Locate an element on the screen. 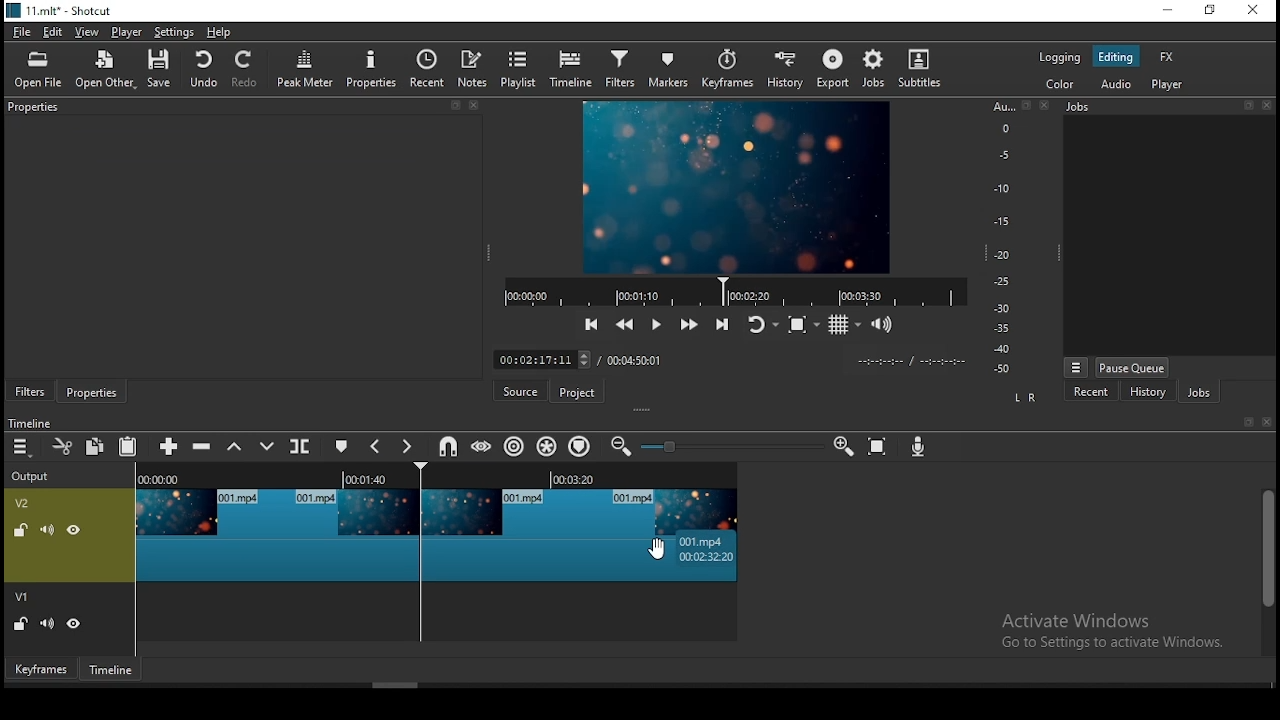 The height and width of the screenshot is (720, 1280). jobs is located at coordinates (878, 69).